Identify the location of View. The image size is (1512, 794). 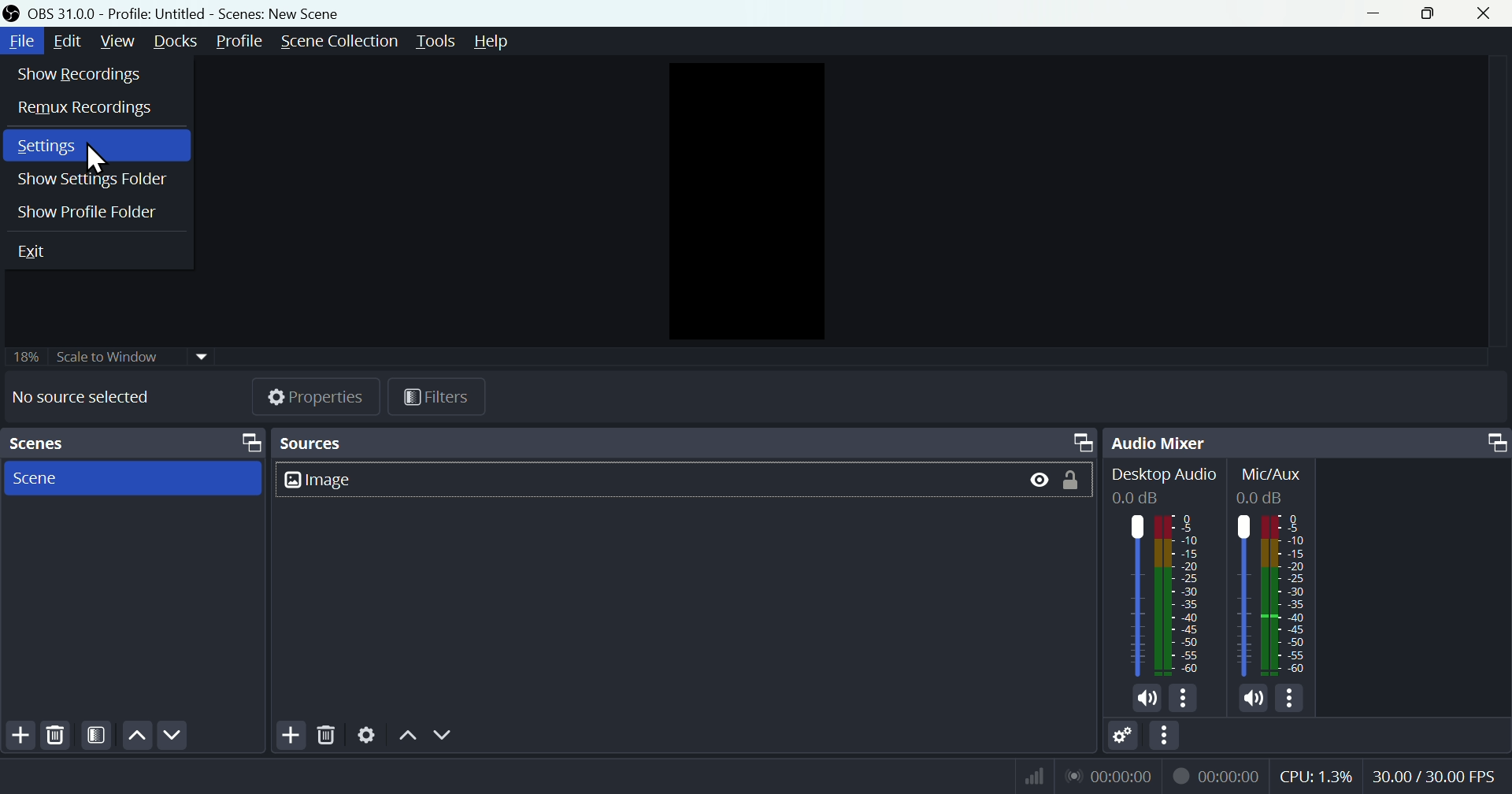
(114, 42).